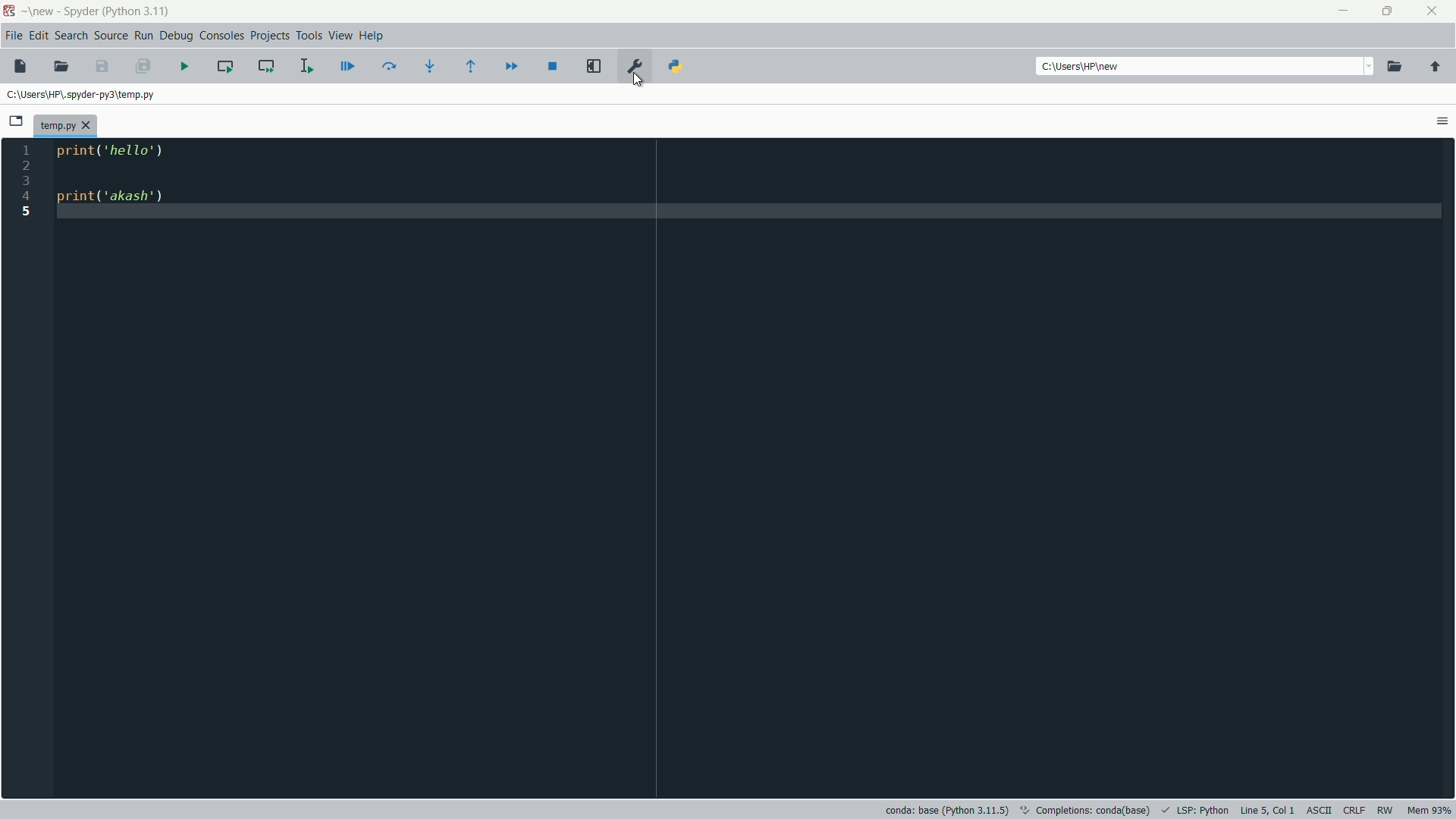  What do you see at coordinates (676, 67) in the screenshot?
I see `python path manager` at bounding box center [676, 67].